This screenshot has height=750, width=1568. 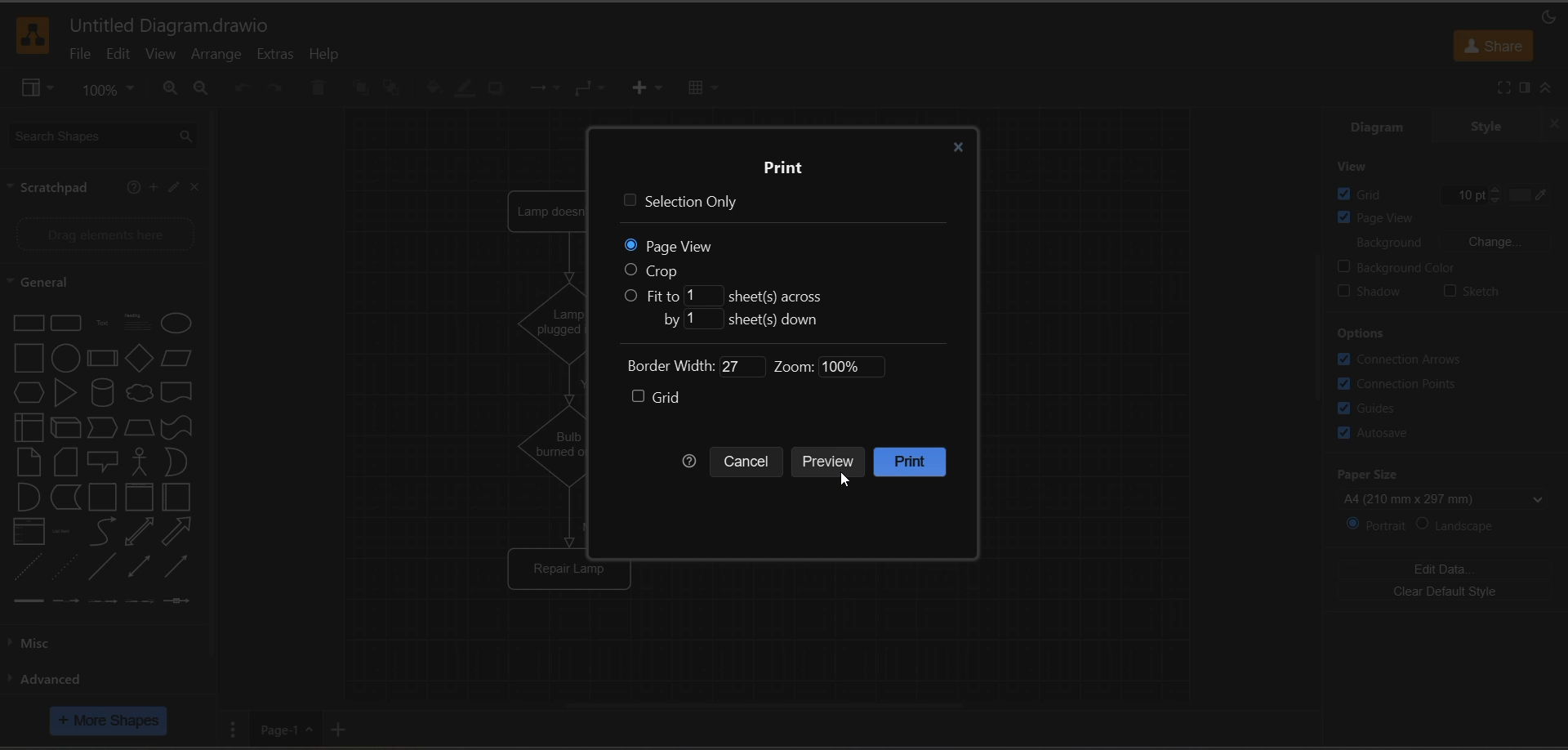 I want to click on options, so click(x=1367, y=333).